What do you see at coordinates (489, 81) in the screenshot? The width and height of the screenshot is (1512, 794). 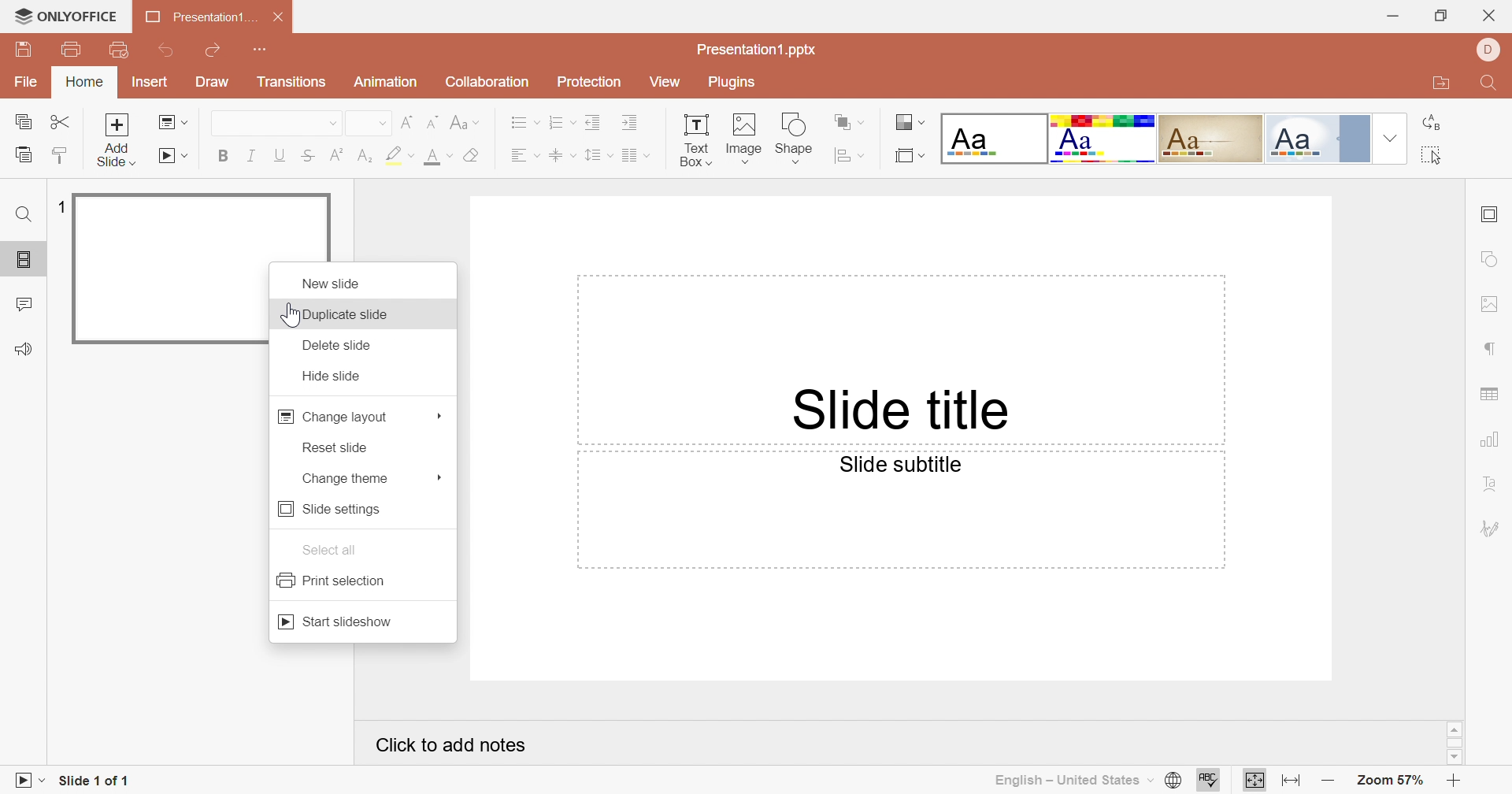 I see `Collaboration` at bounding box center [489, 81].